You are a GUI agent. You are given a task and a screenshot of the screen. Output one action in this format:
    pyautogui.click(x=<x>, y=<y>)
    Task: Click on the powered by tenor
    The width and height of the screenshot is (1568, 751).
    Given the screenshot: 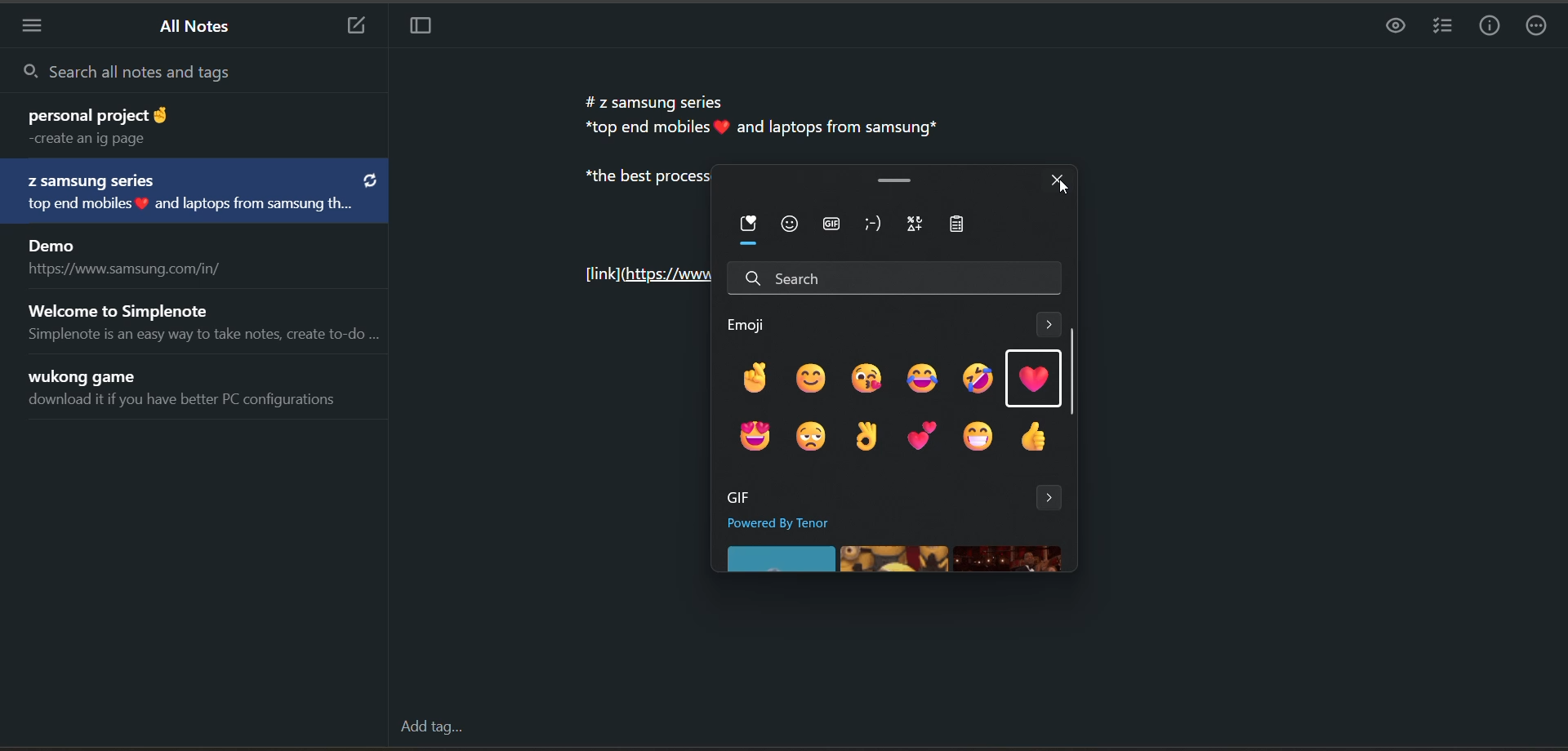 What is the action you would take?
    pyautogui.click(x=795, y=523)
    